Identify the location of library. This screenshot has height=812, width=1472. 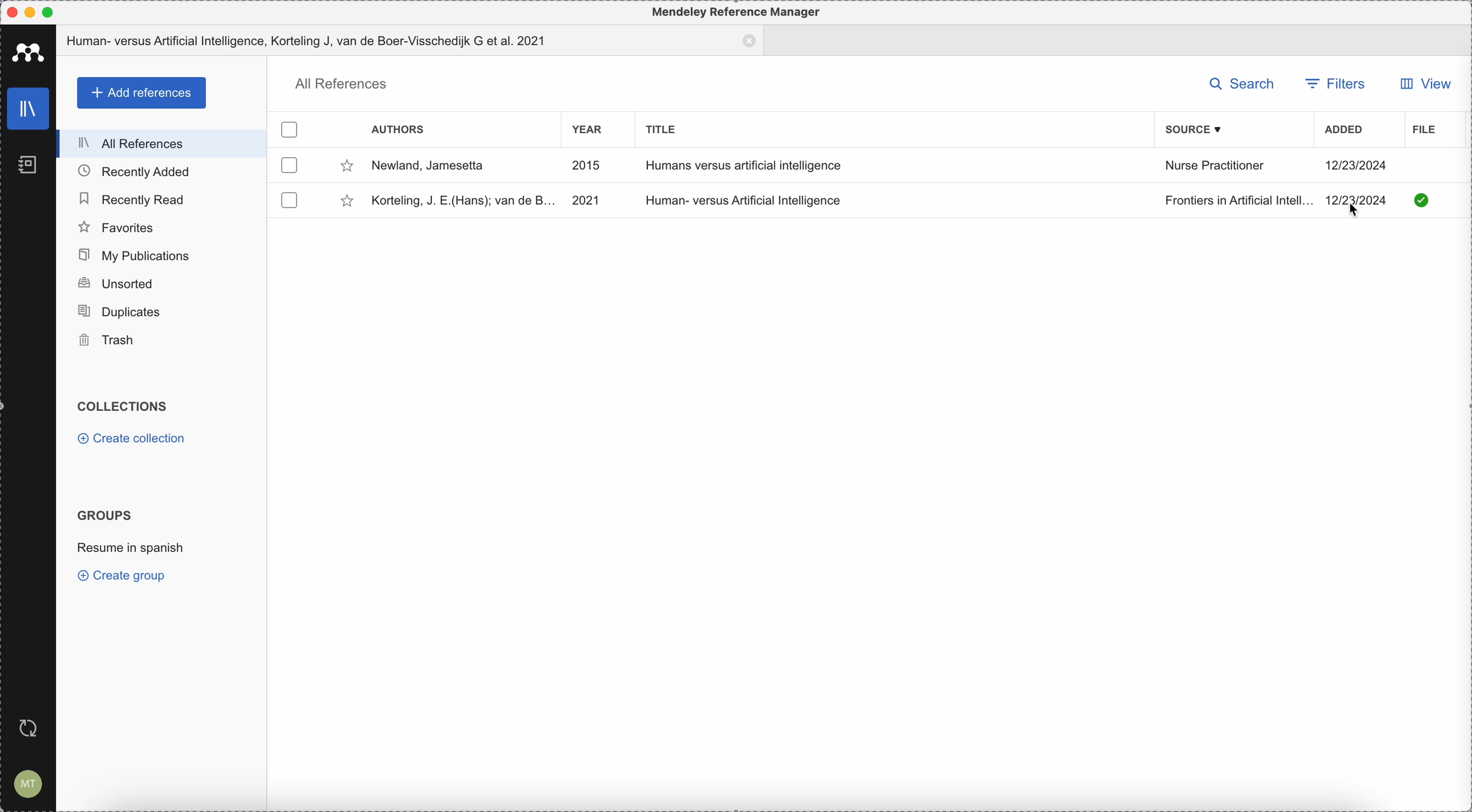
(29, 109).